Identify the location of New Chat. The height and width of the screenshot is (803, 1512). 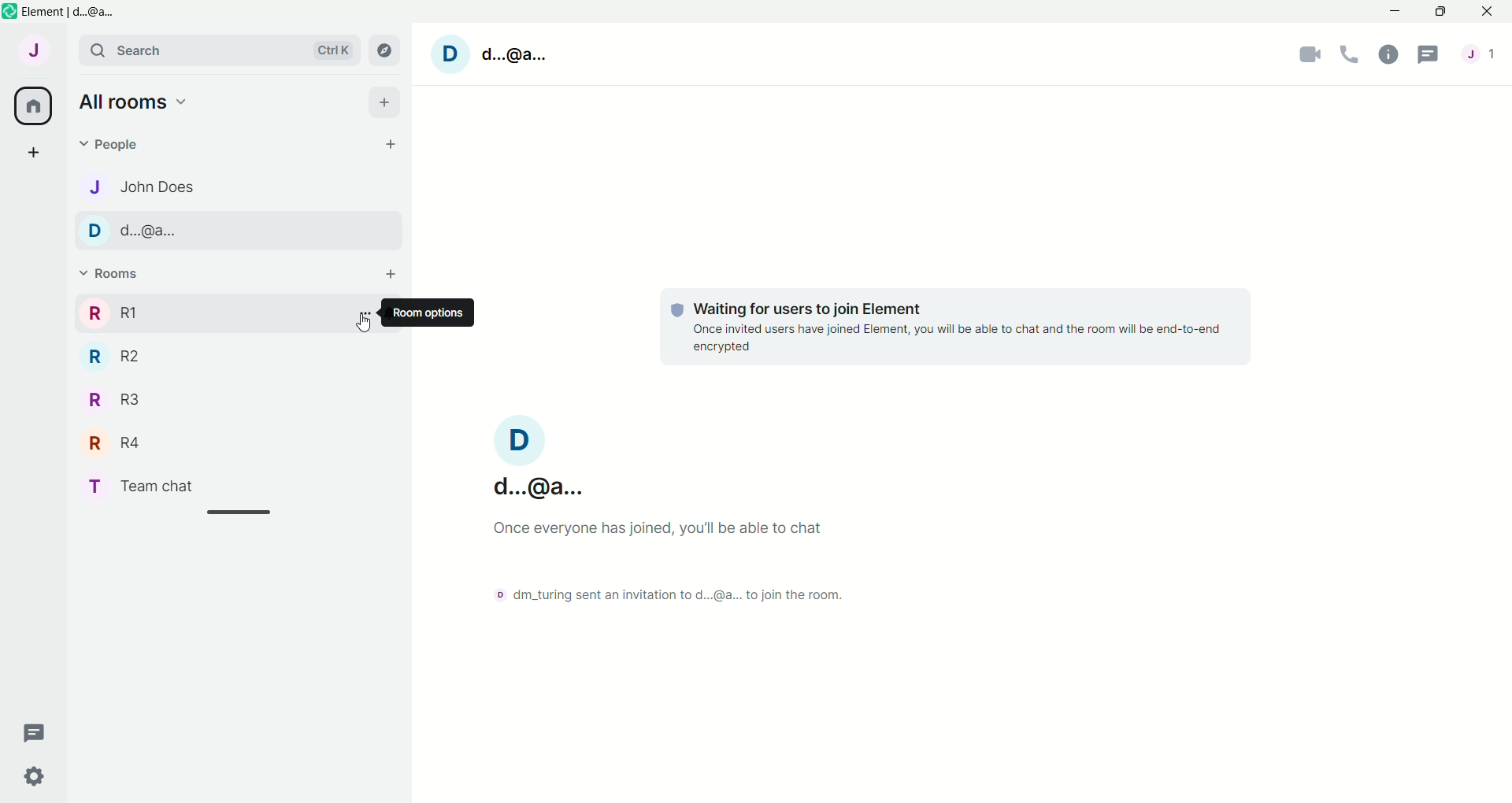
(34, 730).